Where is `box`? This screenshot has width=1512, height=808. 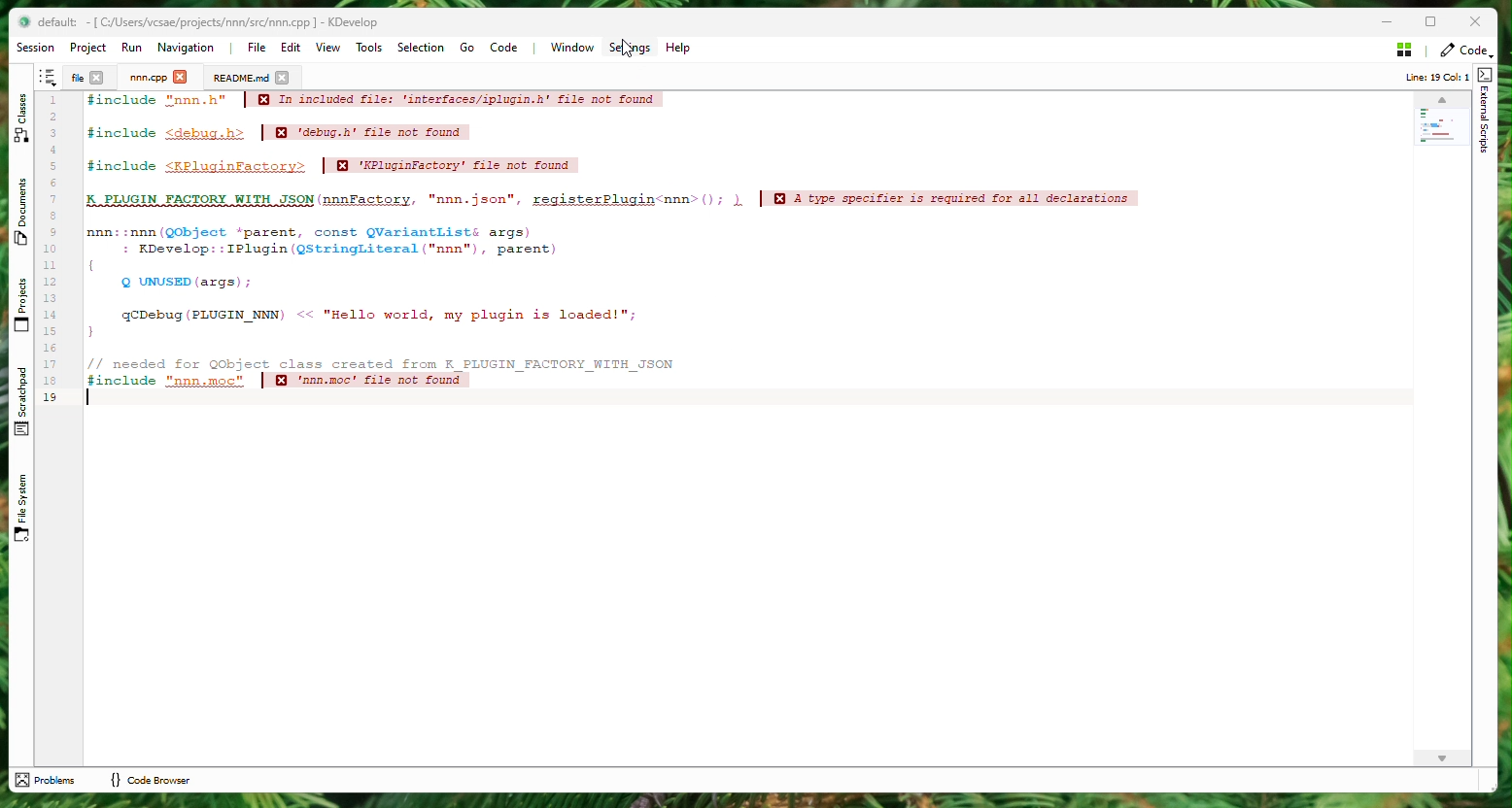 box is located at coordinates (1429, 23).